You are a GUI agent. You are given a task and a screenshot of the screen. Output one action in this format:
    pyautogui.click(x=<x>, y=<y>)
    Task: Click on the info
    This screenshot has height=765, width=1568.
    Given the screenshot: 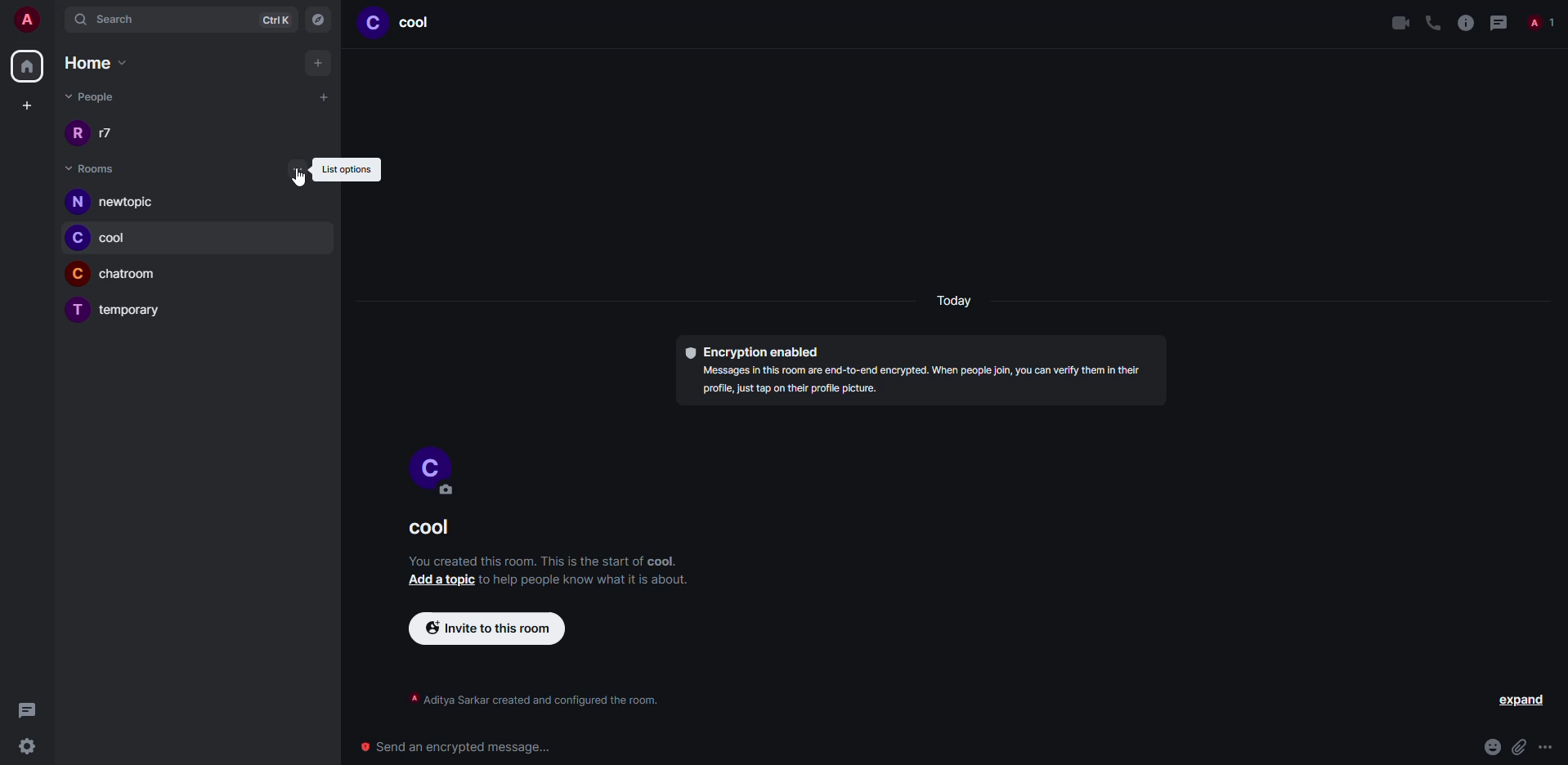 What is the action you would take?
    pyautogui.click(x=930, y=383)
    